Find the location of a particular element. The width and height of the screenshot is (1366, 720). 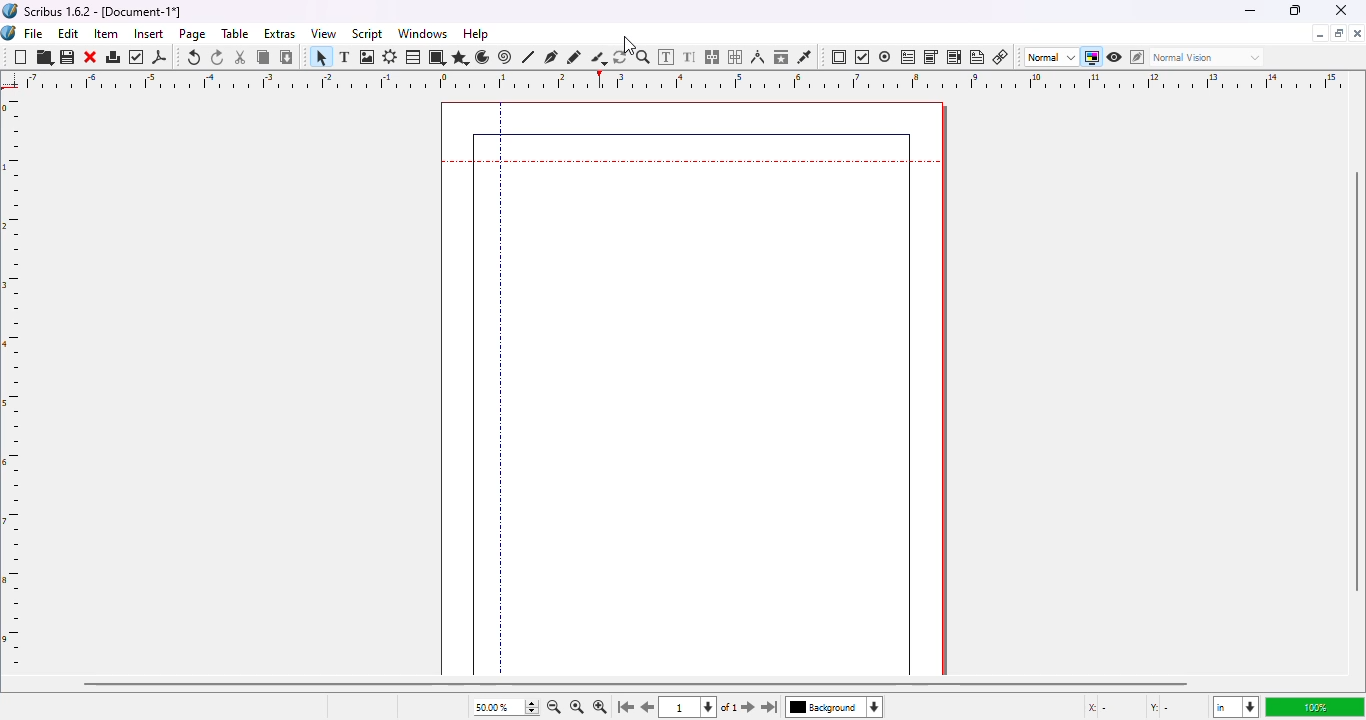

extras is located at coordinates (280, 33).